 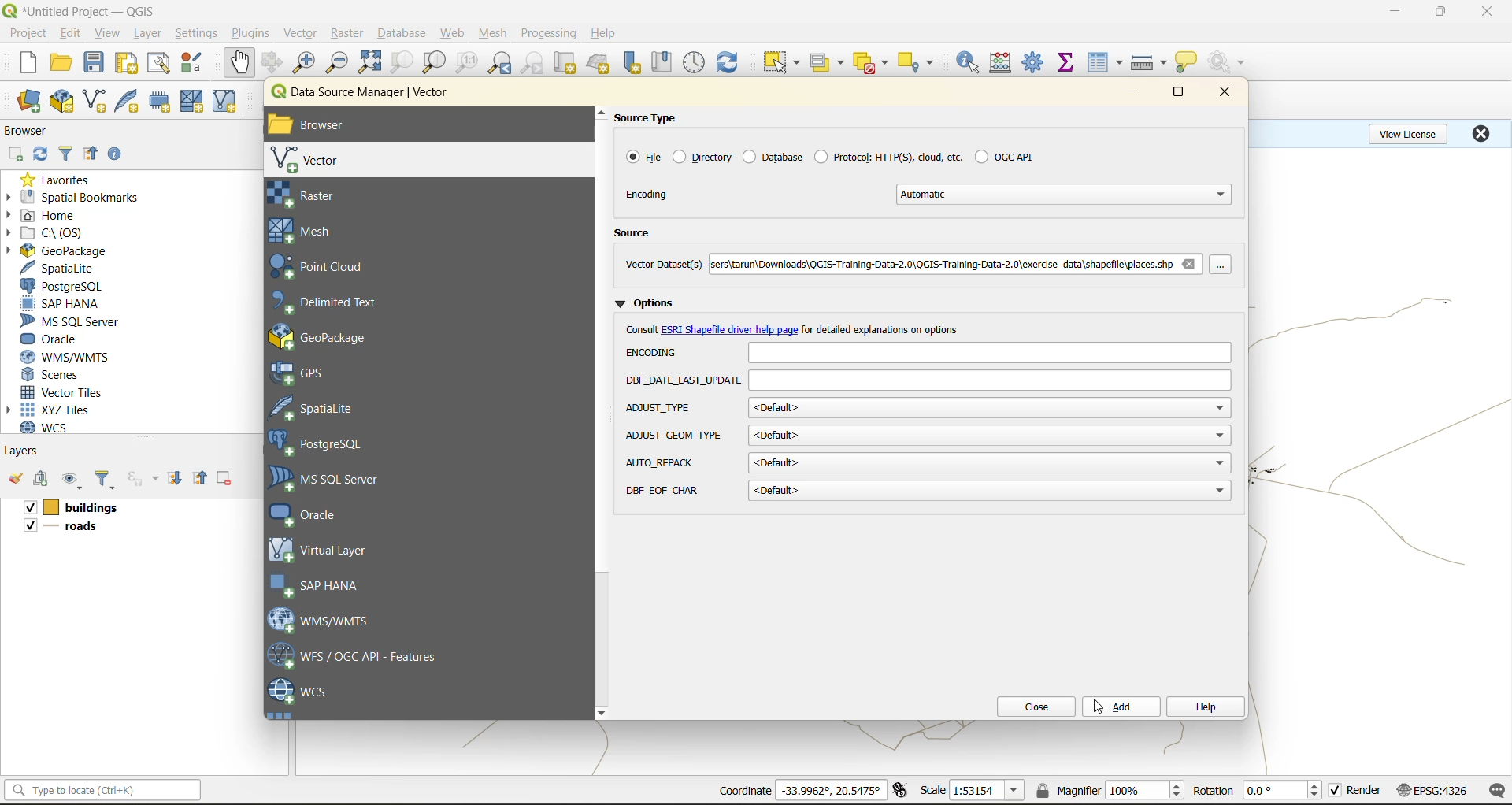 I want to click on edit, so click(x=71, y=35).